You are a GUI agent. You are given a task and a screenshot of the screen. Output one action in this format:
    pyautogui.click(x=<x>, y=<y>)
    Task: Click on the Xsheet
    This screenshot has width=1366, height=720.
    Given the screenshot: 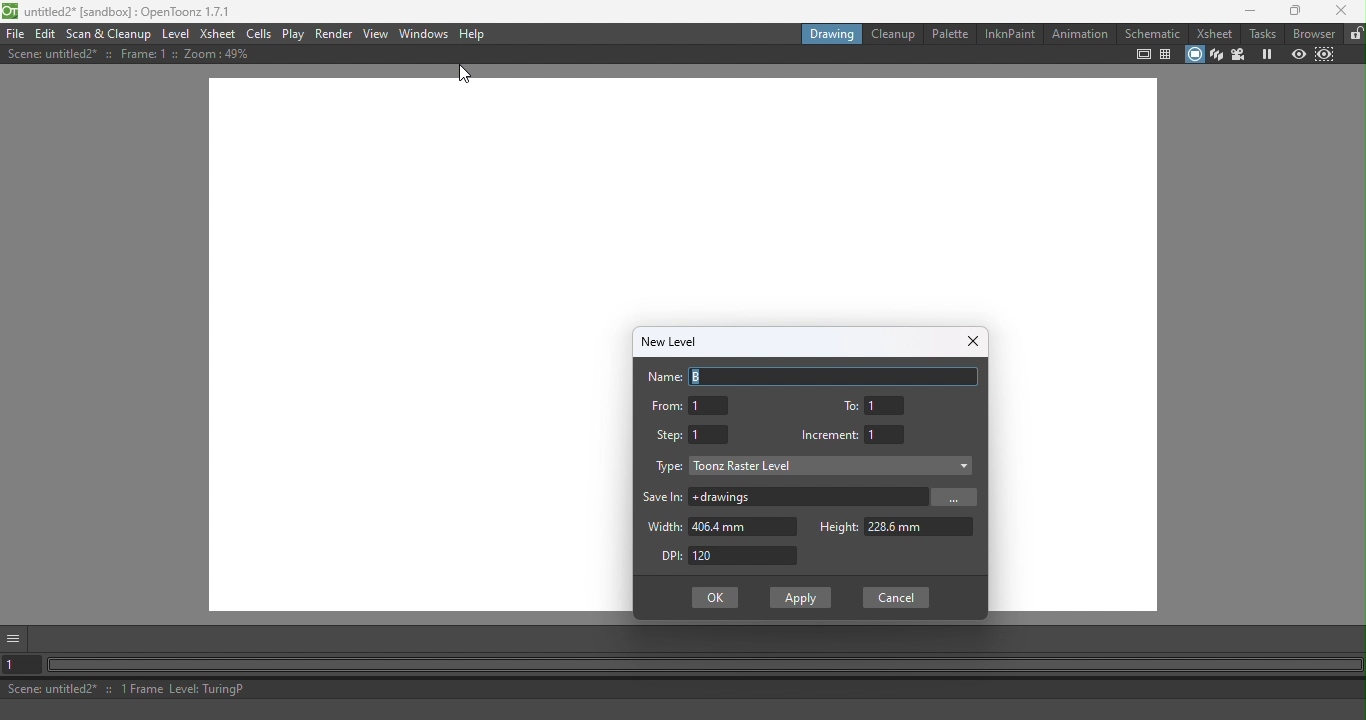 What is the action you would take?
    pyautogui.click(x=218, y=34)
    